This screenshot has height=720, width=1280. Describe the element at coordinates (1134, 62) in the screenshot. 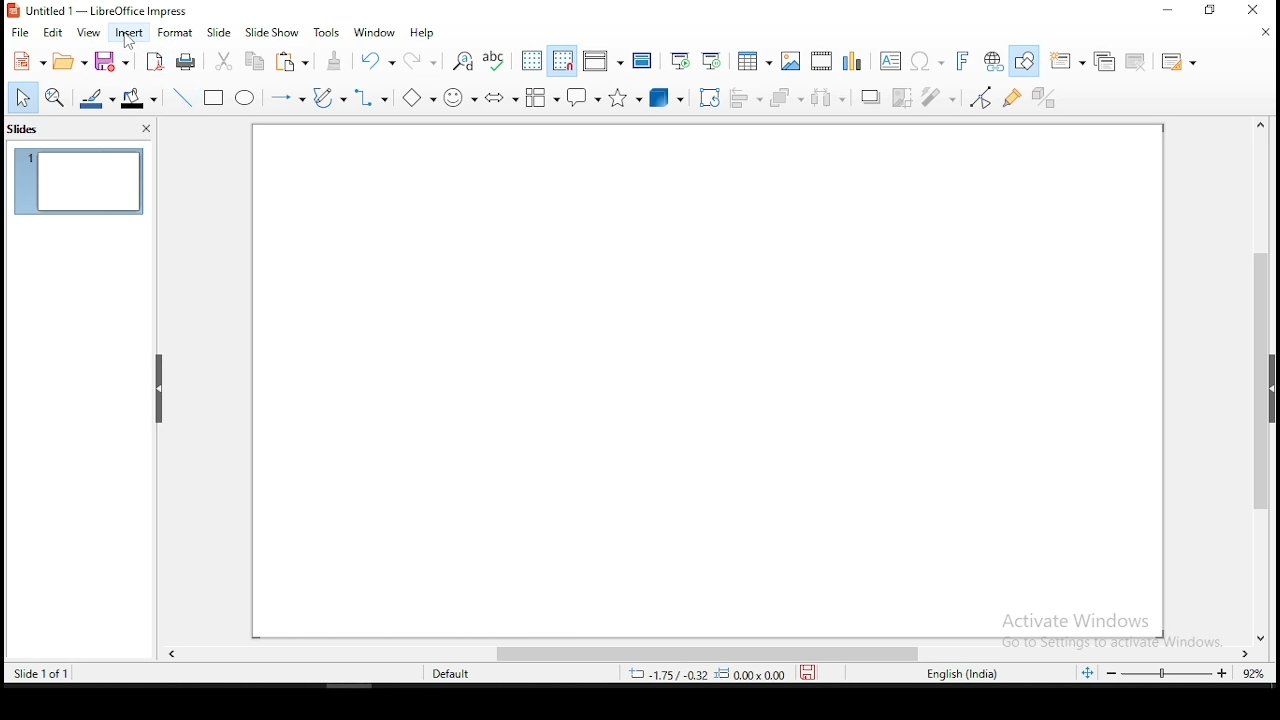

I see `delete slide` at that location.